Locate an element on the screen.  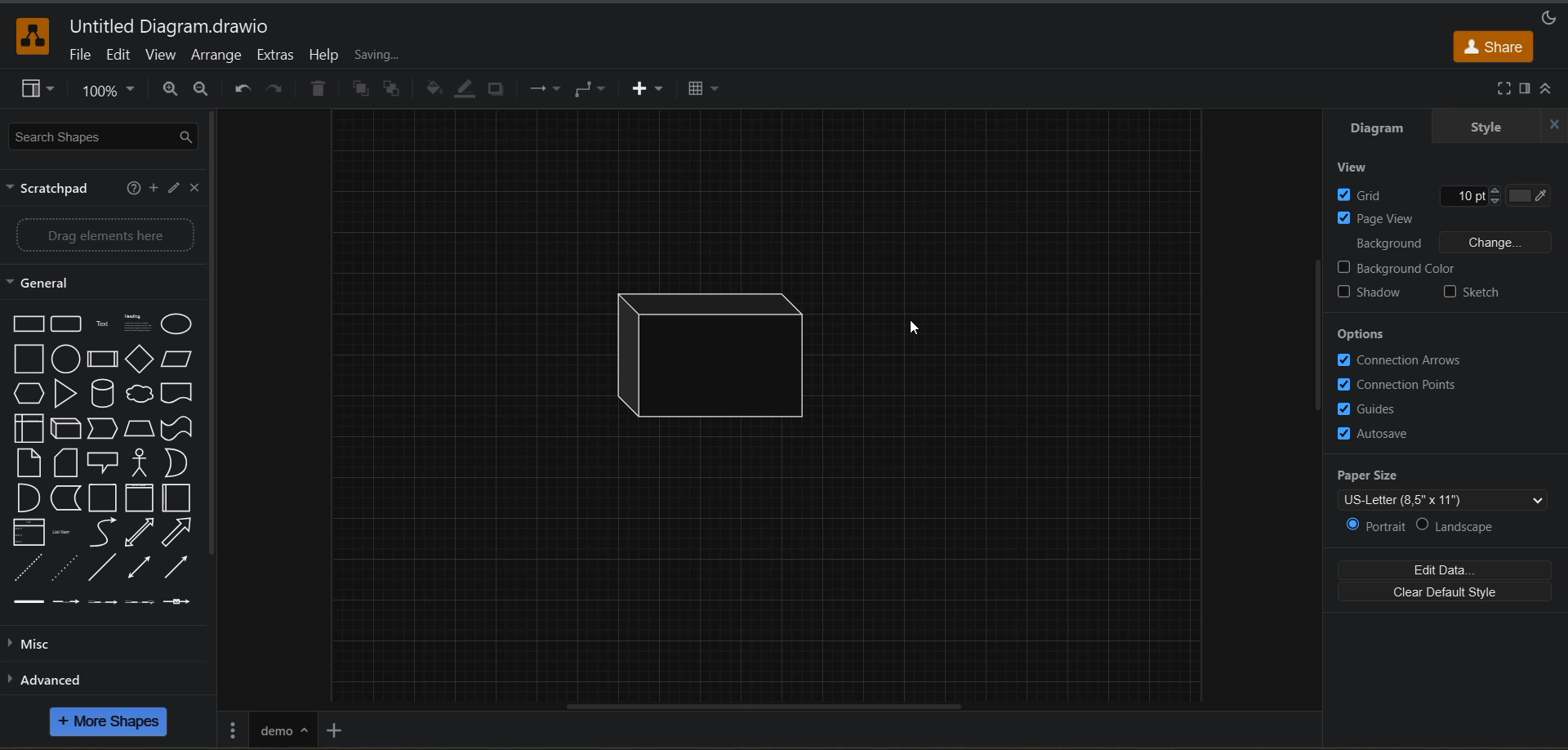
insert is located at coordinates (655, 90).